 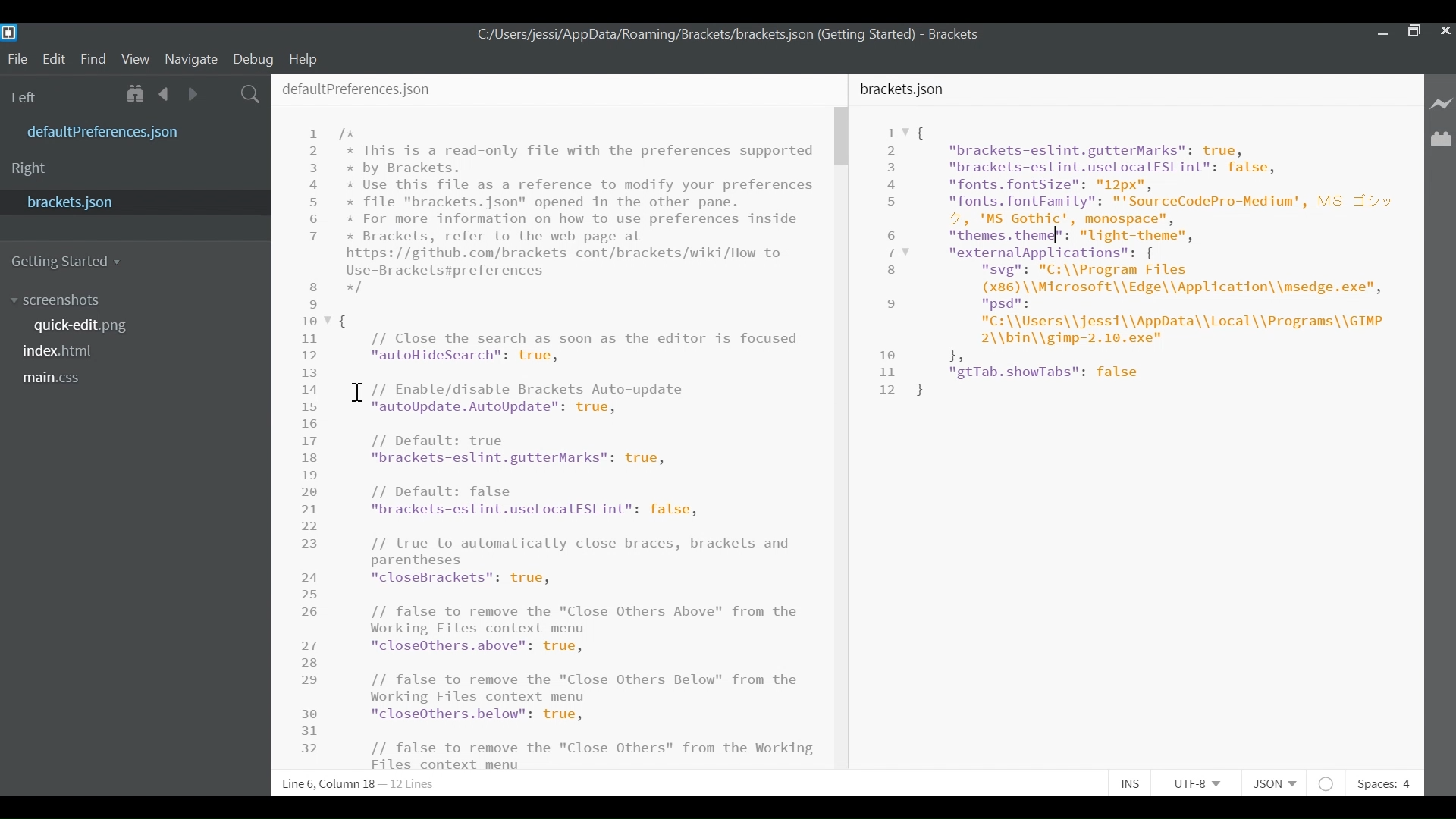 What do you see at coordinates (1272, 783) in the screenshot?
I see `Select File Type` at bounding box center [1272, 783].